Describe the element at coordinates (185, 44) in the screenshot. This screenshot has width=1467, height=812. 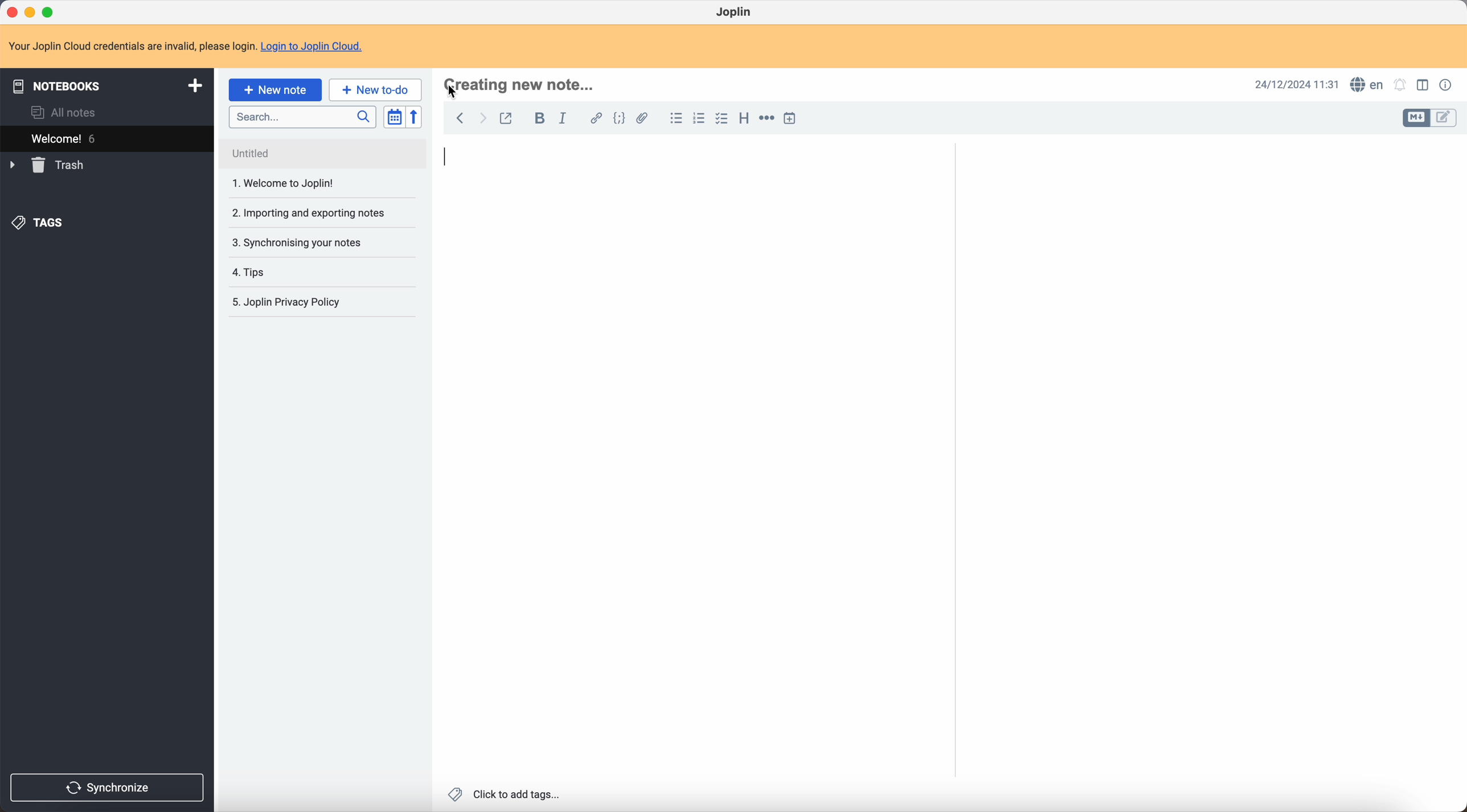
I see `note` at that location.